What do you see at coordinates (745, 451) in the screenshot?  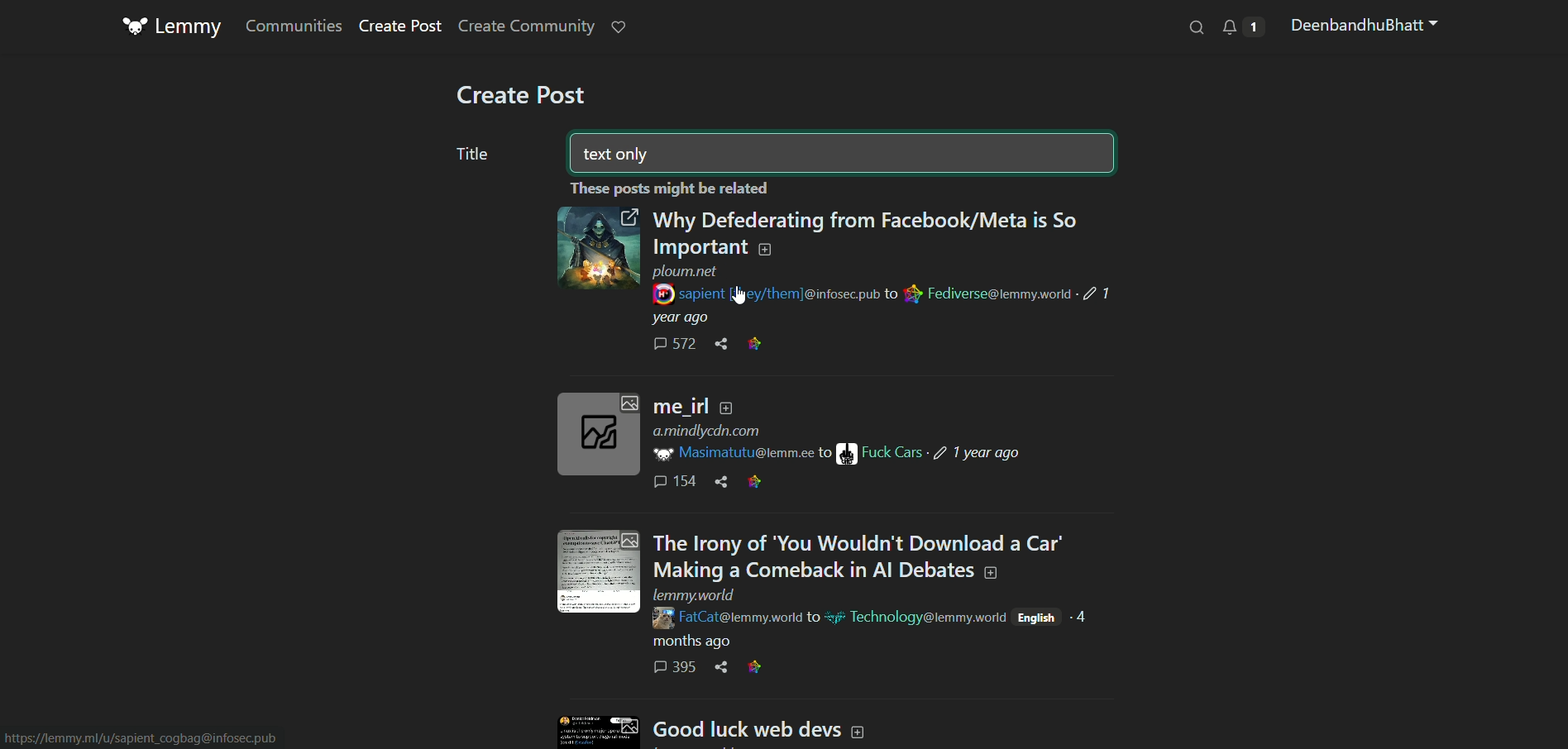 I see `Link to Masimatutu page` at bounding box center [745, 451].